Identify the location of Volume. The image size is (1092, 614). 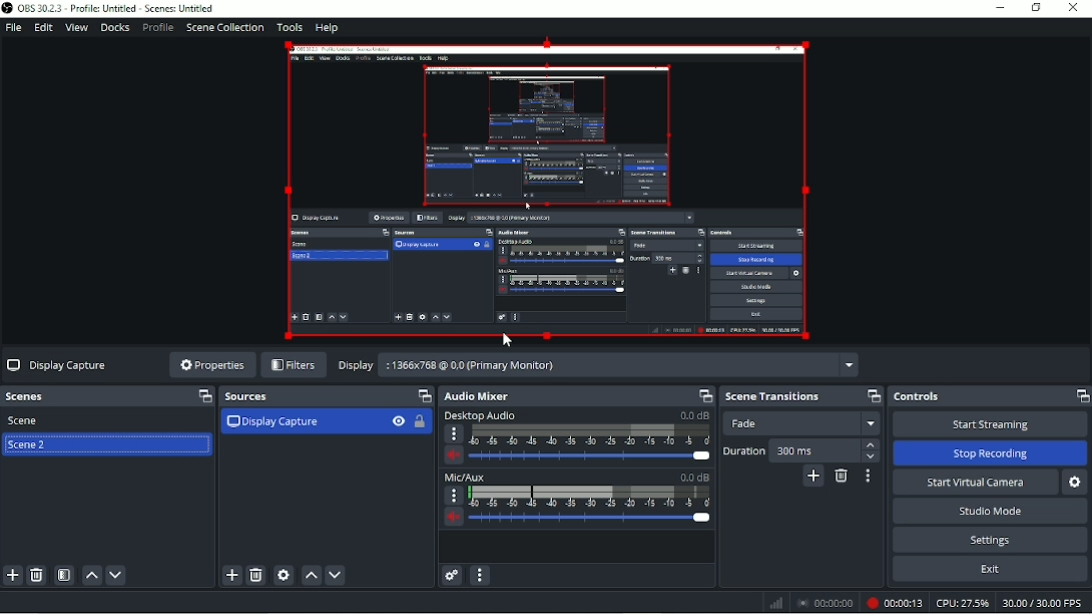
(453, 519).